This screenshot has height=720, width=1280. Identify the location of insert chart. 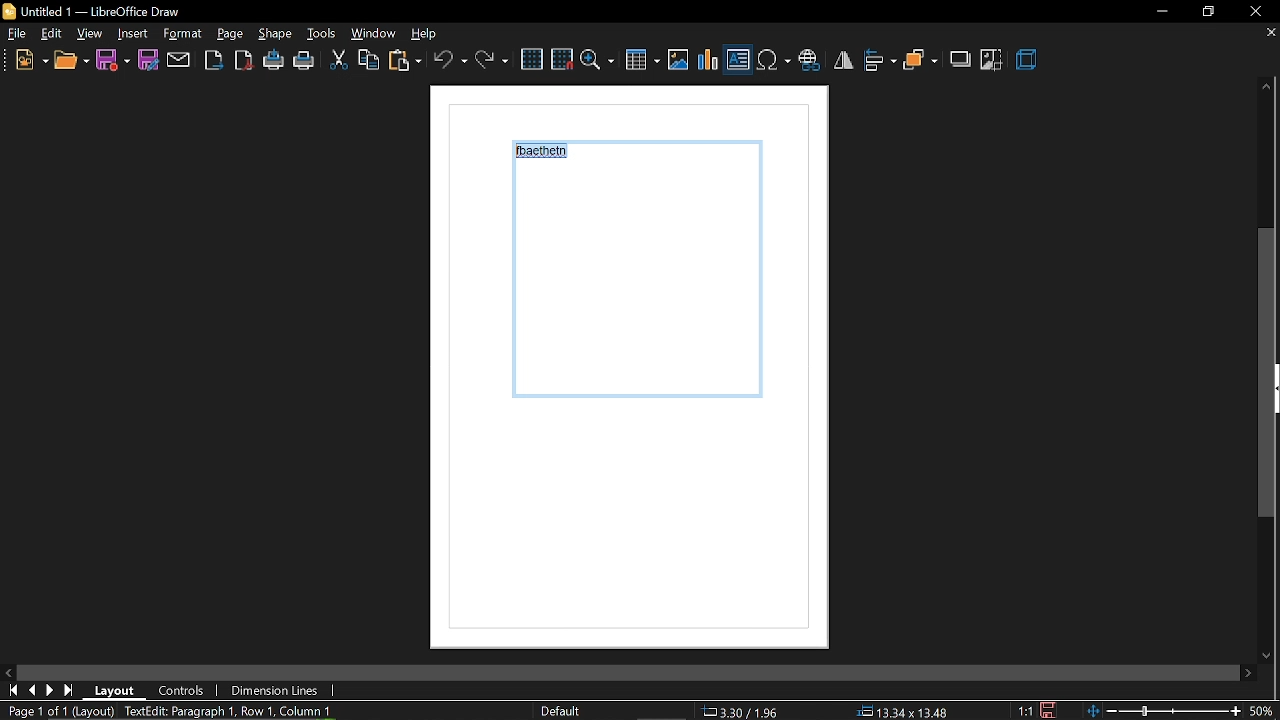
(709, 61).